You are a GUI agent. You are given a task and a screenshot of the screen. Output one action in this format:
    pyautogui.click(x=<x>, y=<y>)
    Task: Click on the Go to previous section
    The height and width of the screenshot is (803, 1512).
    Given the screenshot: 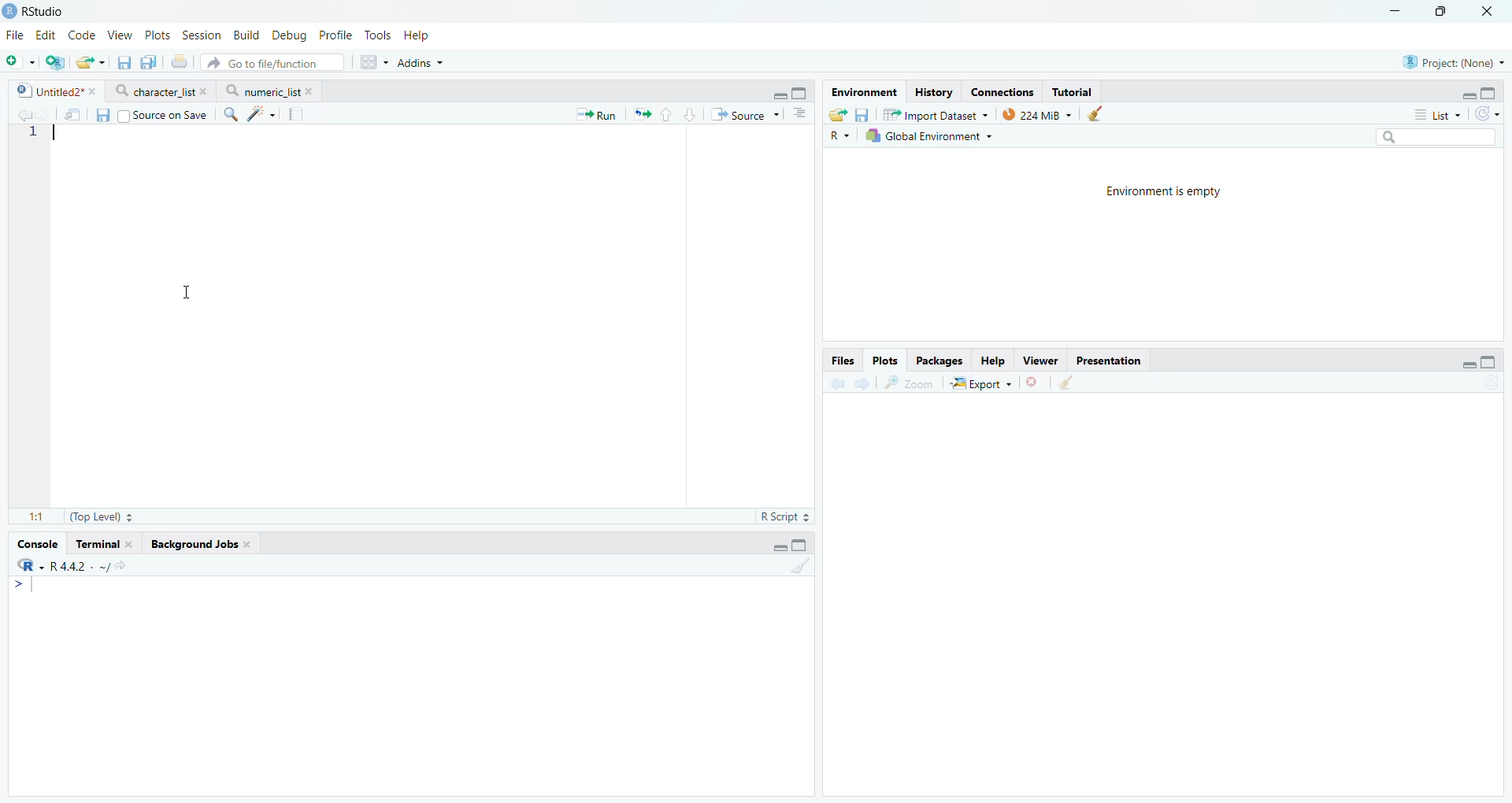 What is the action you would take?
    pyautogui.click(x=668, y=113)
    